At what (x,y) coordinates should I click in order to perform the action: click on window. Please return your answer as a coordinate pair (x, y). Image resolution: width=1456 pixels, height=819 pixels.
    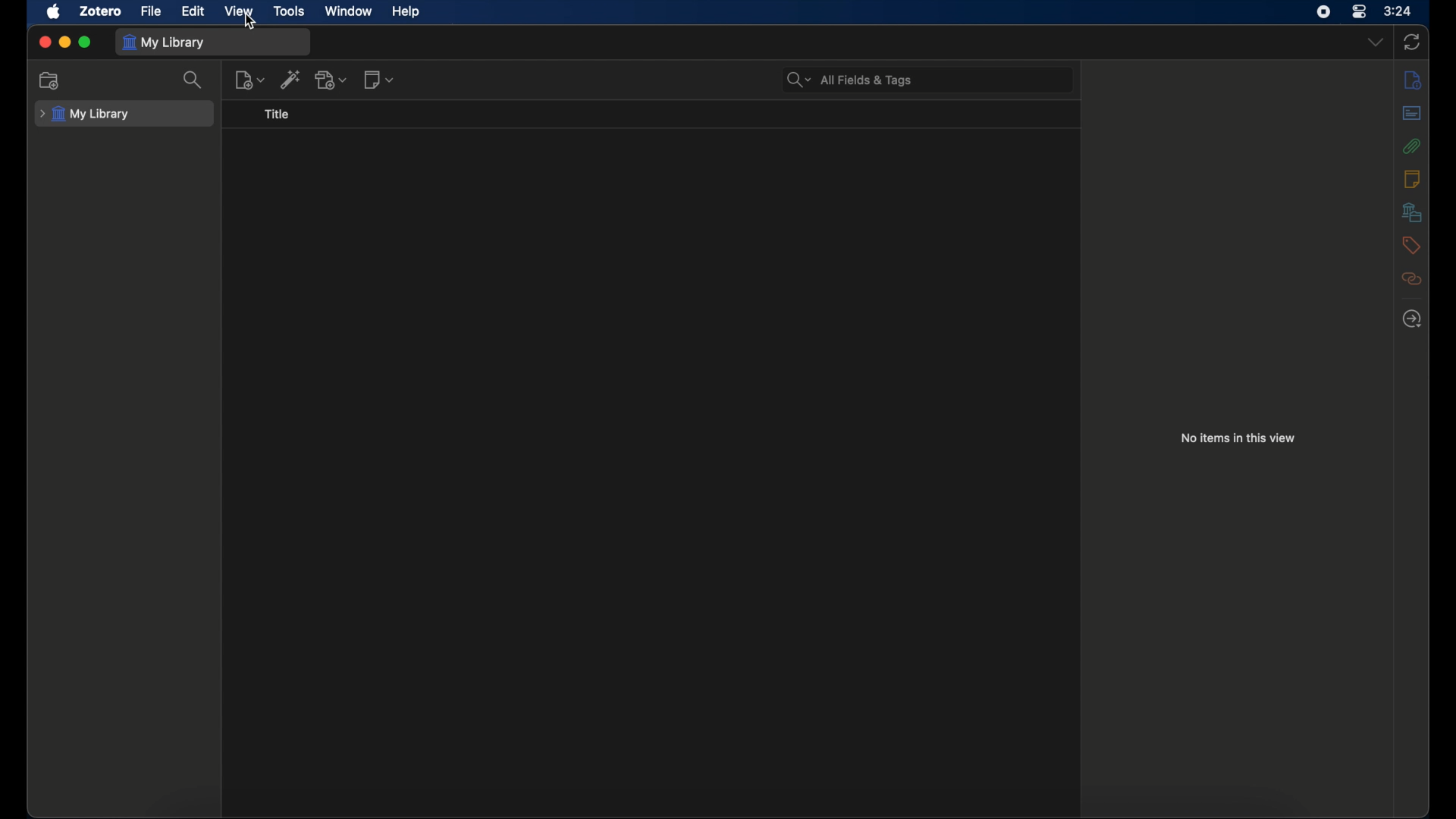
    Looking at the image, I should click on (347, 10).